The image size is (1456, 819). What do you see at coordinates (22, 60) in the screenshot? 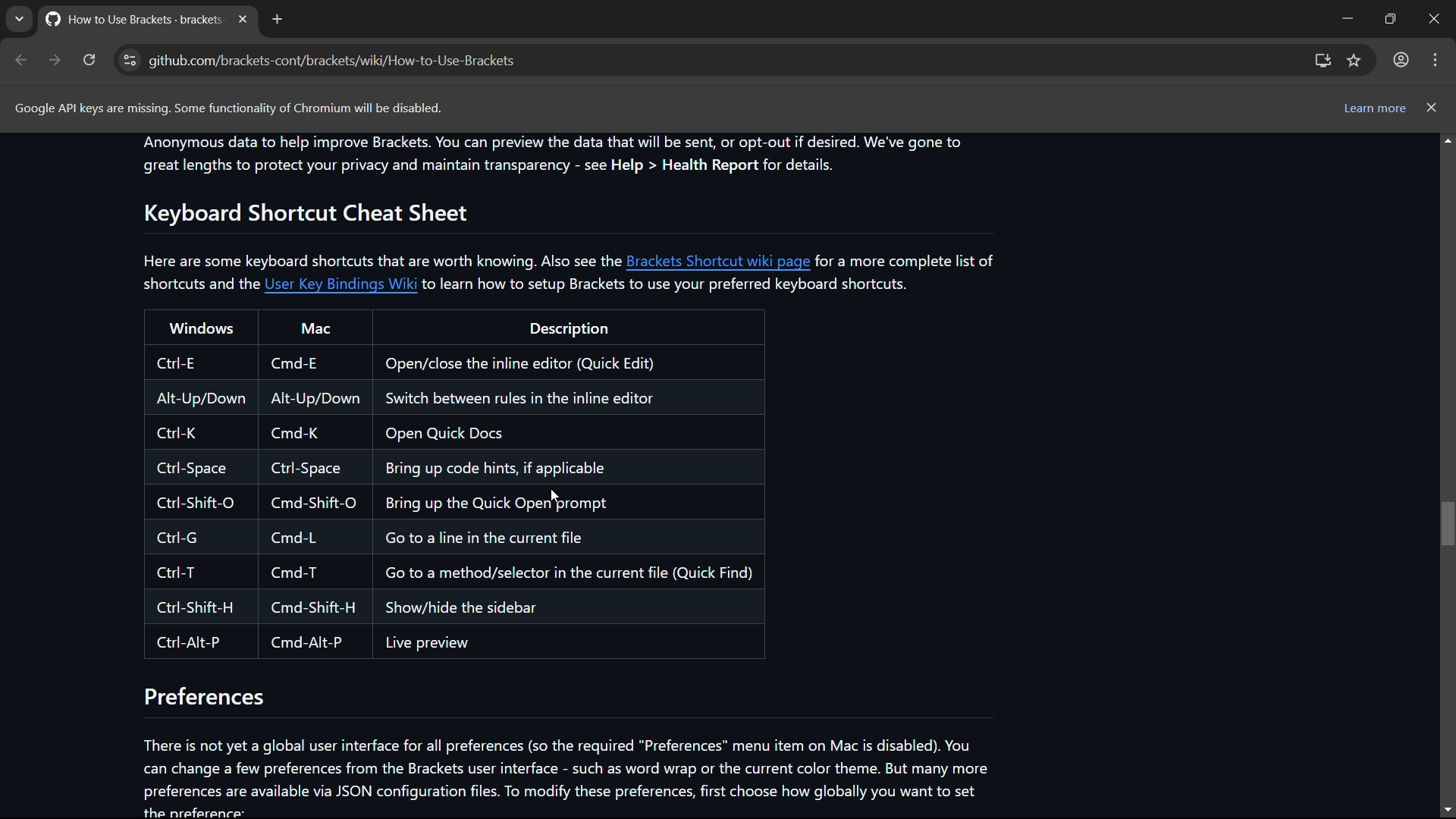
I see `back` at bounding box center [22, 60].